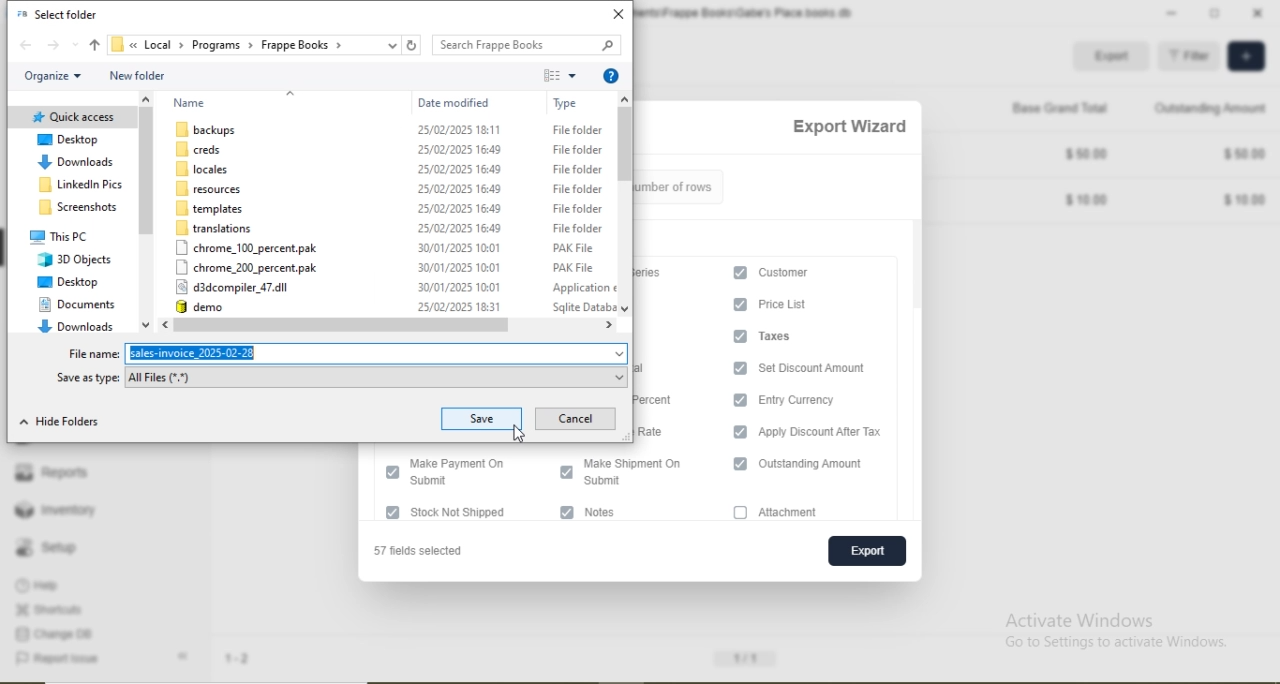 The height and width of the screenshot is (684, 1280). I want to click on sort, so click(552, 76).